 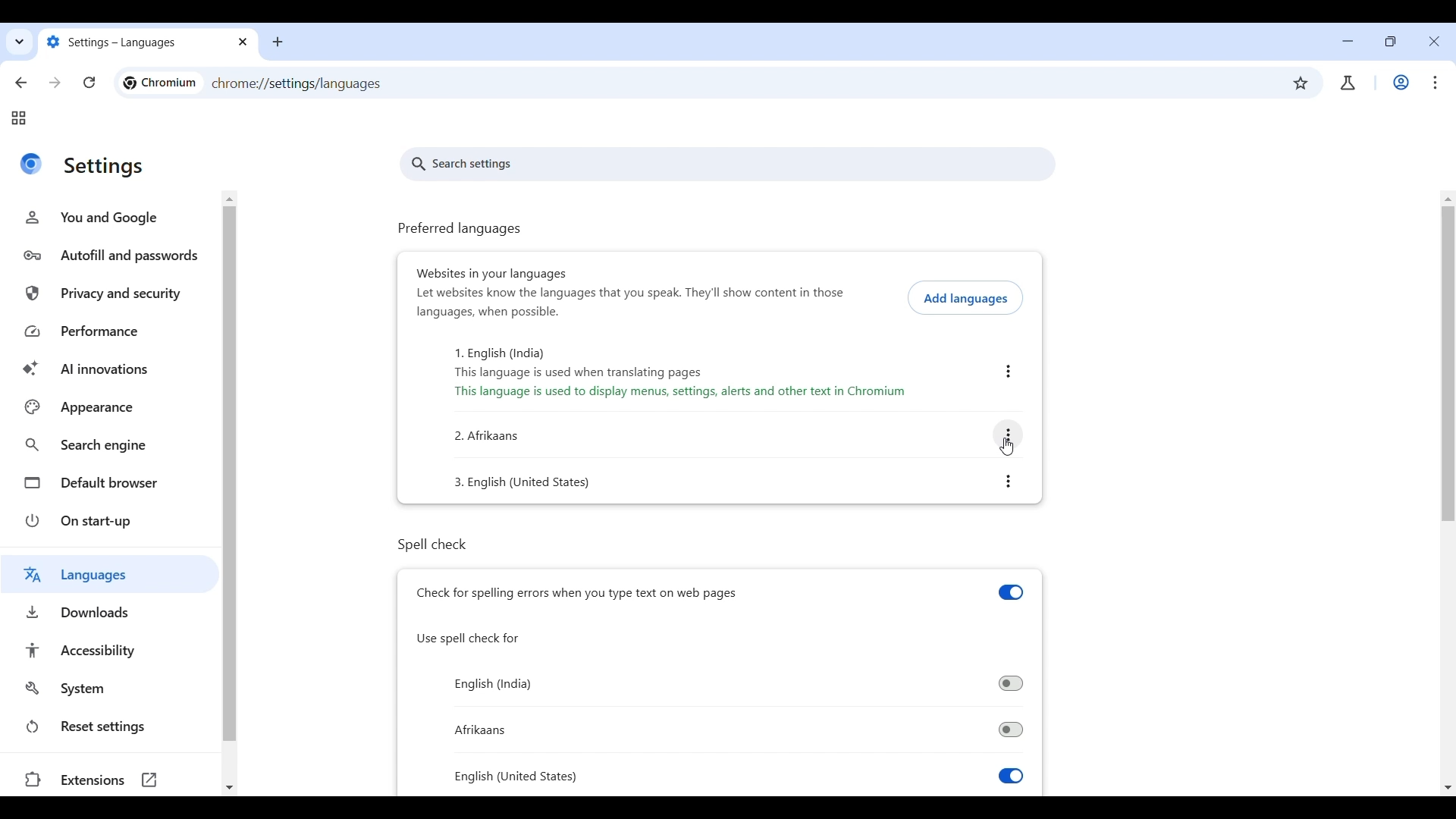 What do you see at coordinates (1432, 82) in the screenshot?
I see `Customize and control Chromium` at bounding box center [1432, 82].